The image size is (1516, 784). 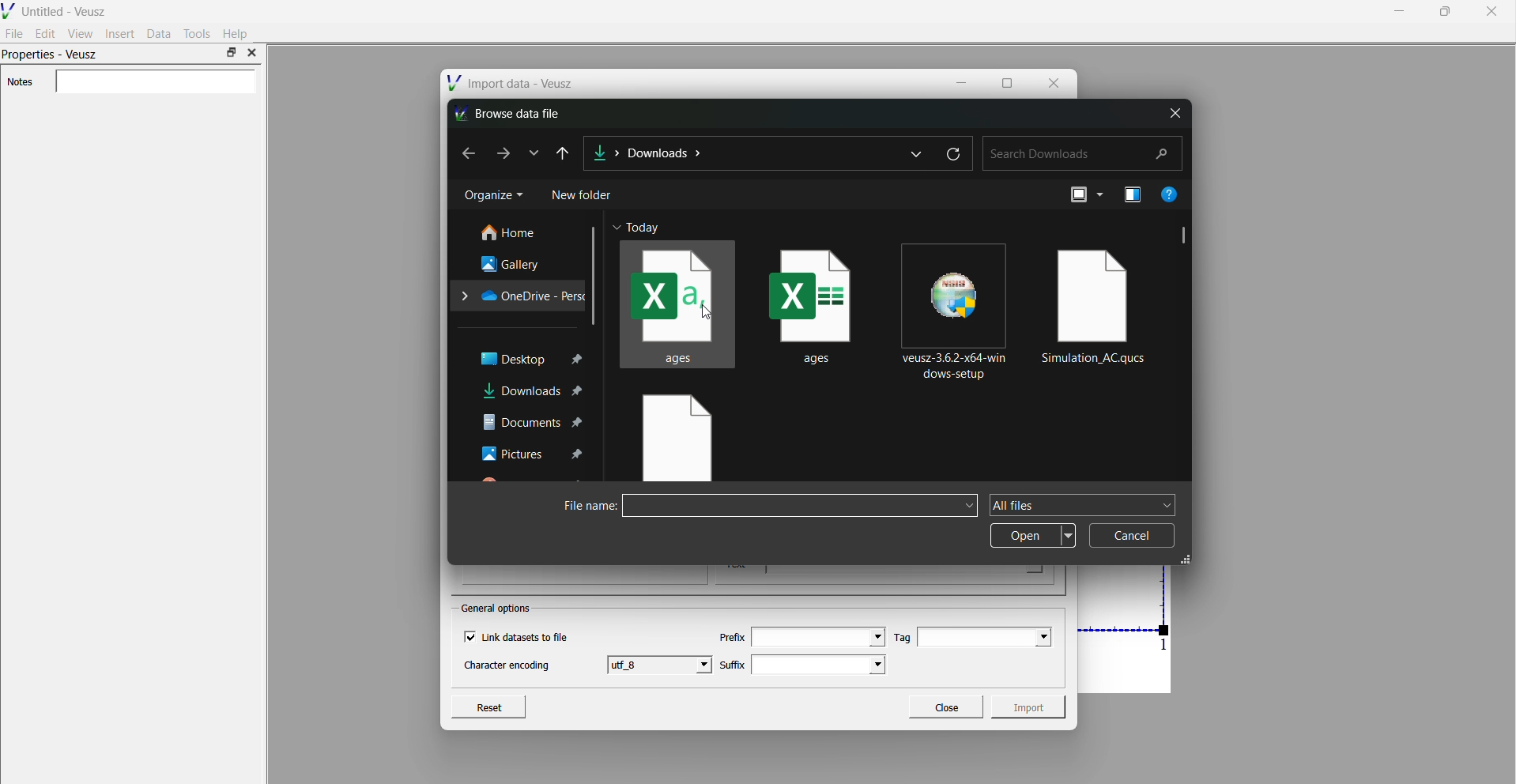 I want to click on maximise, so click(x=231, y=52).